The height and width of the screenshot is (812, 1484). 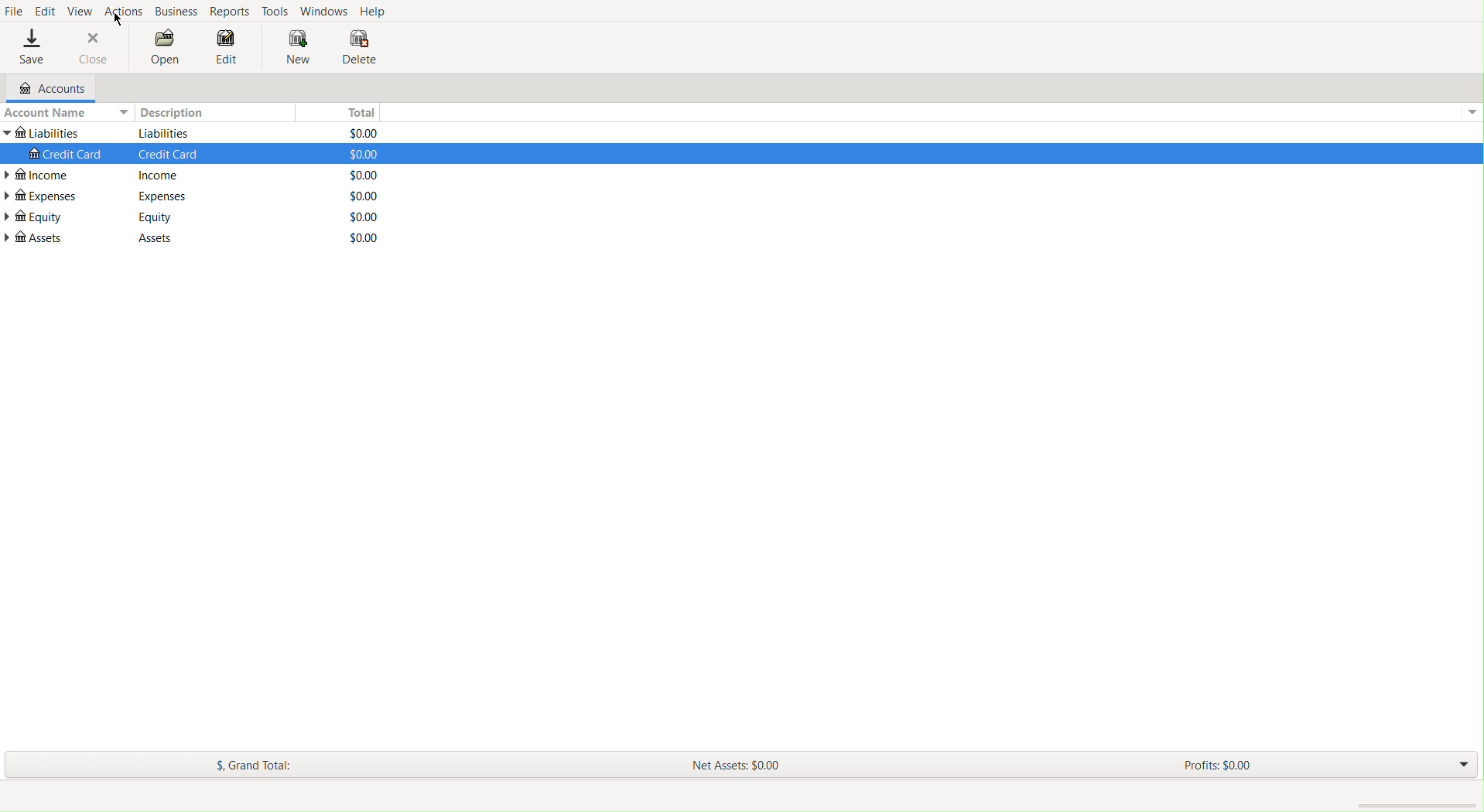 What do you see at coordinates (276, 11) in the screenshot?
I see `Tools` at bounding box center [276, 11].